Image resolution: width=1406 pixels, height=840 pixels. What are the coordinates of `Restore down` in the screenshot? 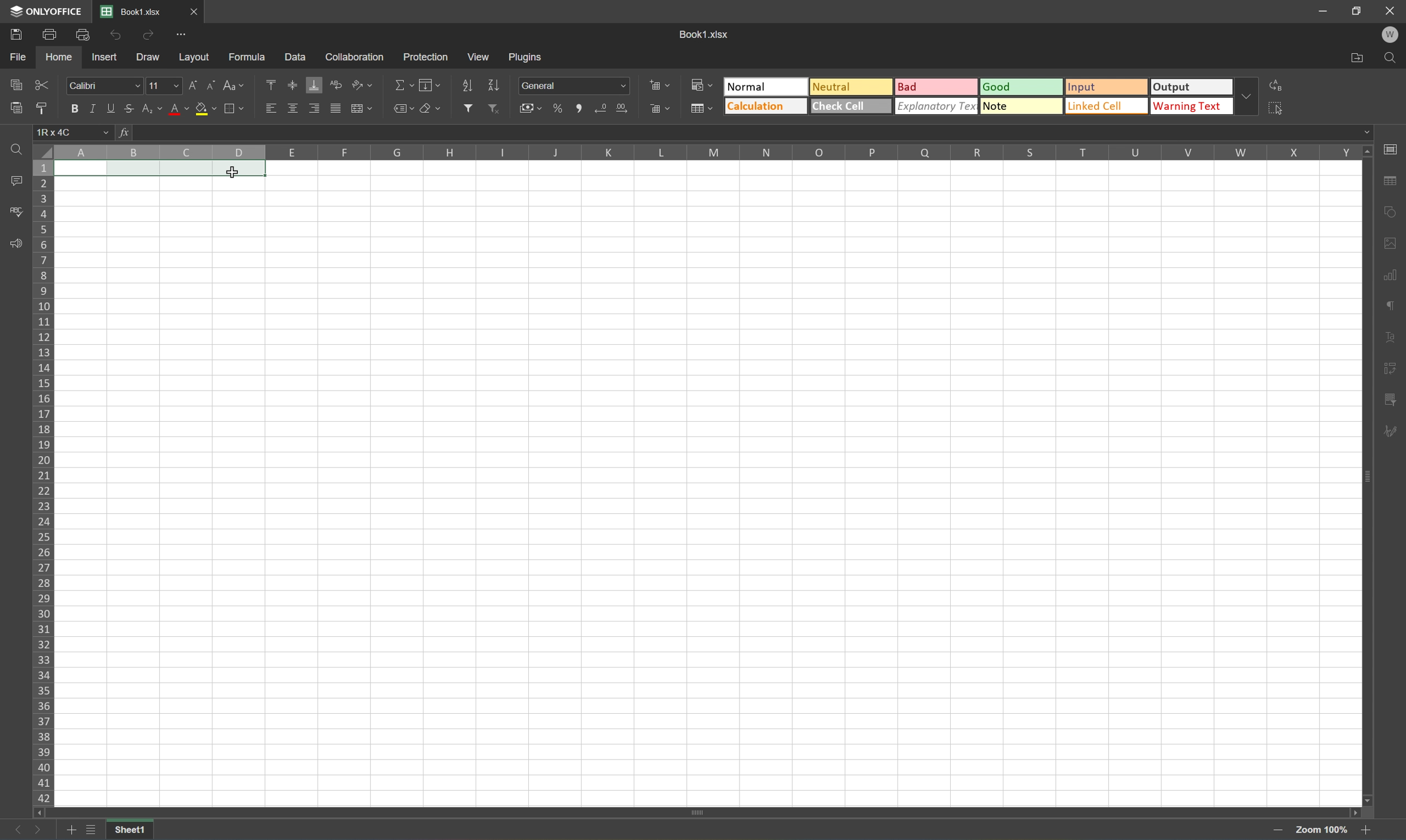 It's located at (1357, 11).